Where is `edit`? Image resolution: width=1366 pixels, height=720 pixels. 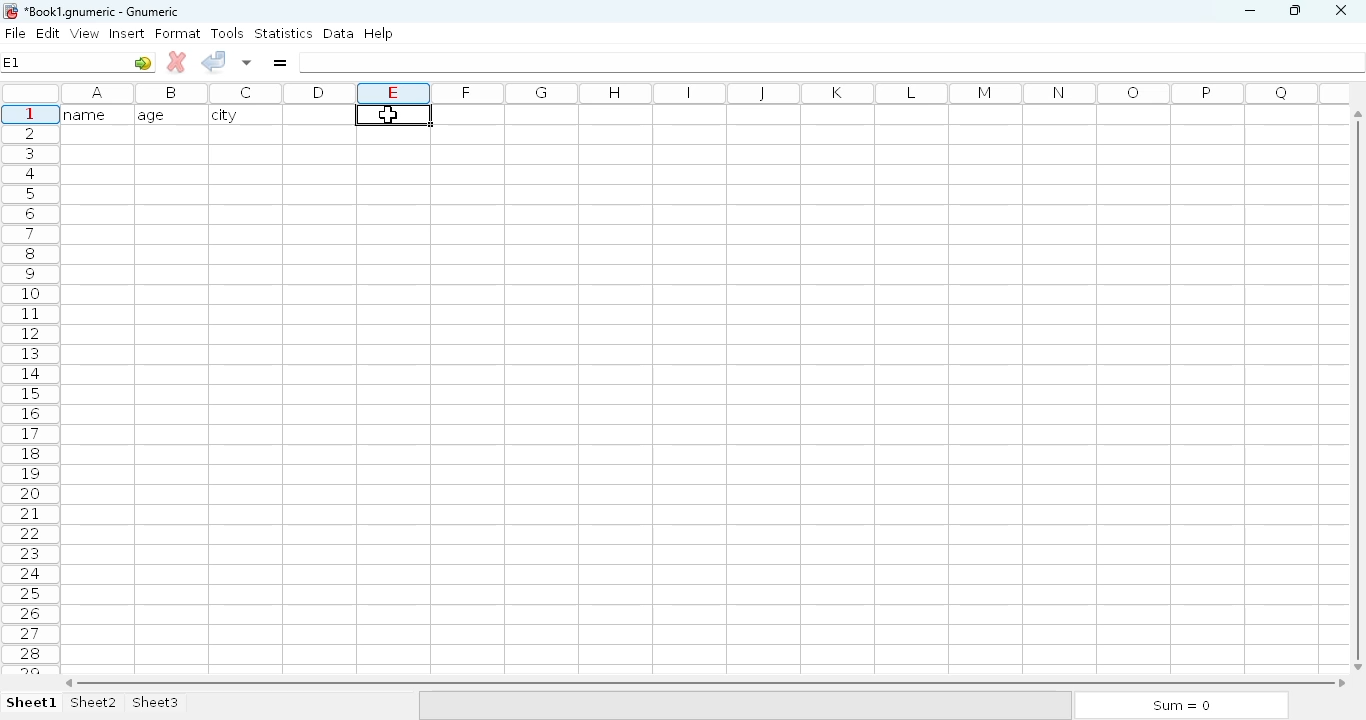 edit is located at coordinates (49, 33).